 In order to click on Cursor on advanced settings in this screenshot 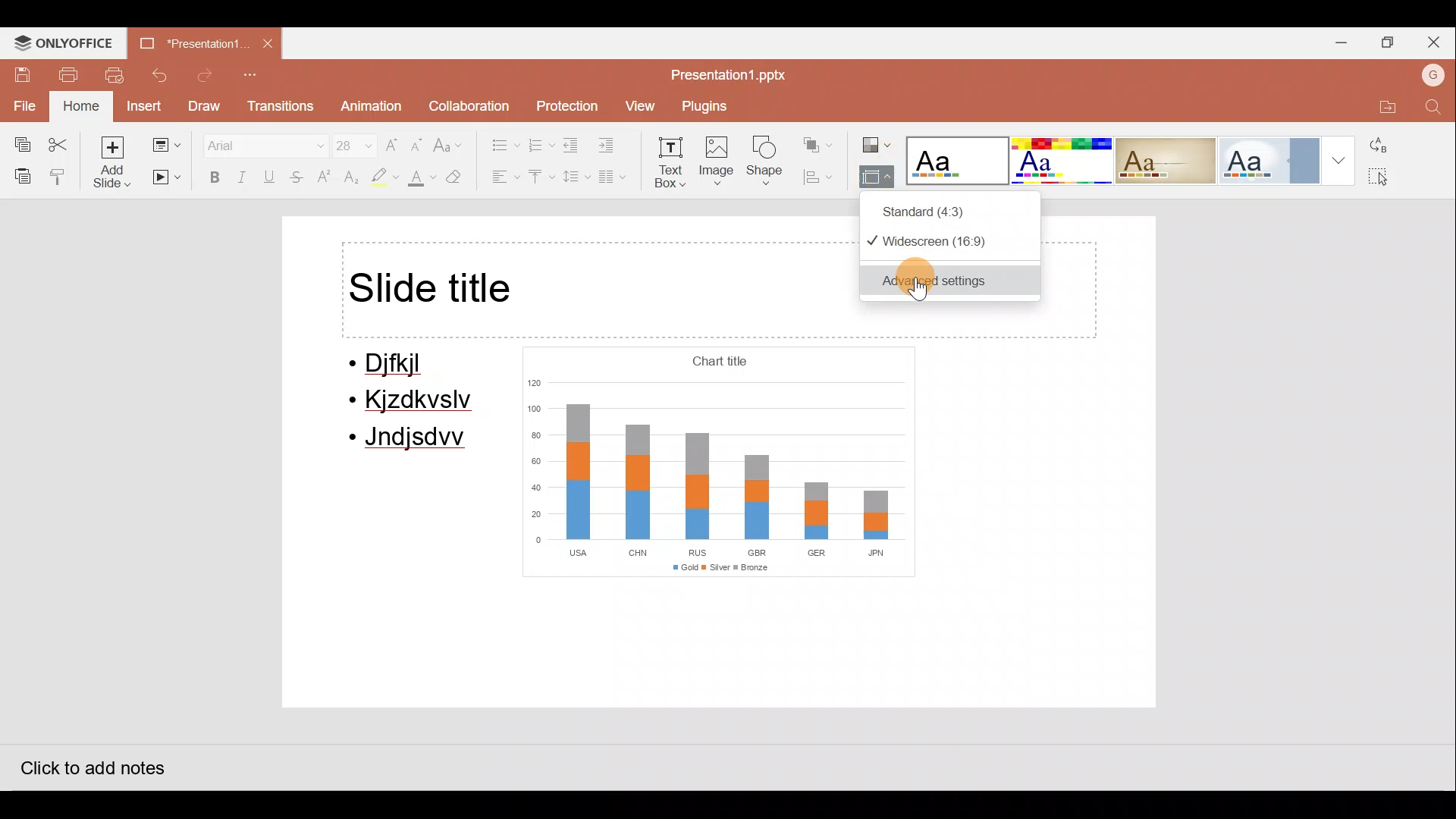, I will do `click(928, 281)`.